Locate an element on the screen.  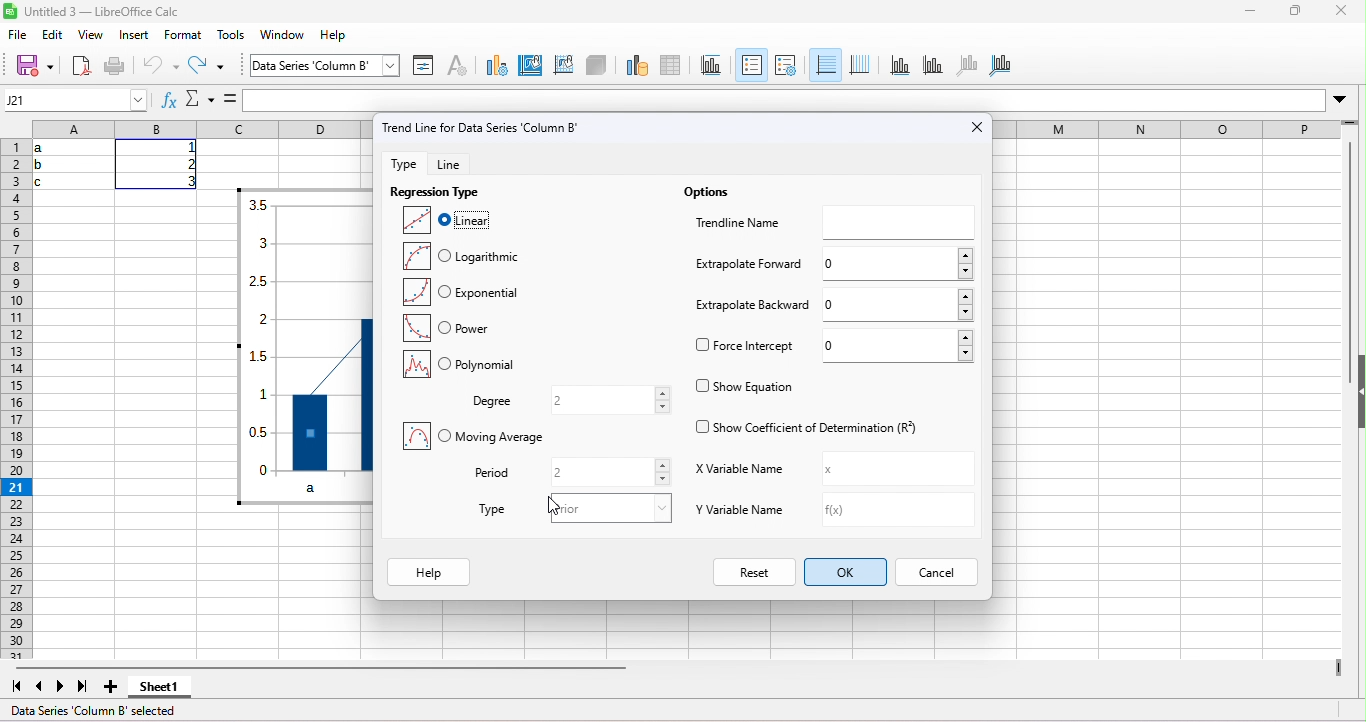
cancel is located at coordinates (948, 573).